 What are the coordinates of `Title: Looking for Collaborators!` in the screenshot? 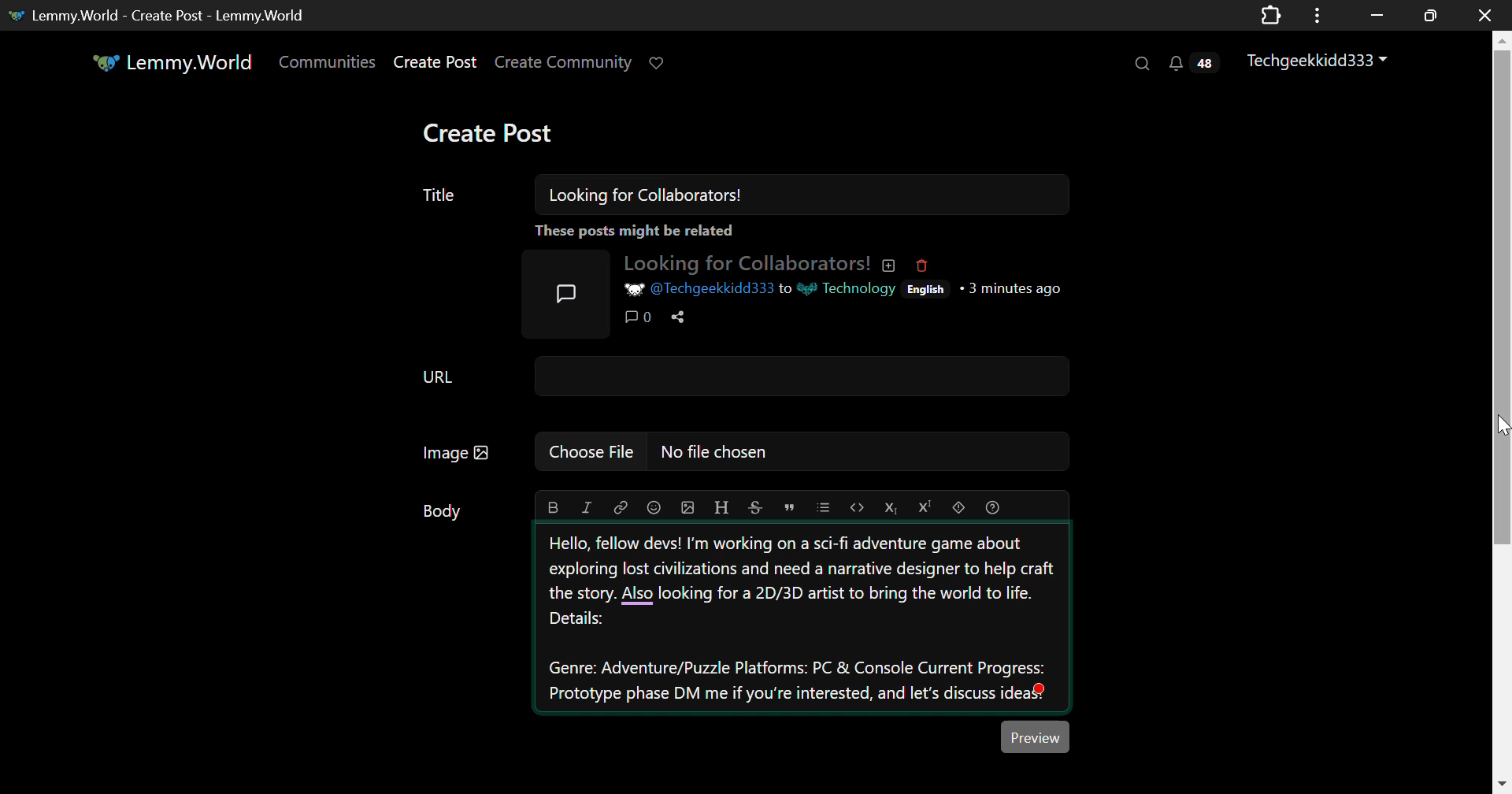 It's located at (746, 195).